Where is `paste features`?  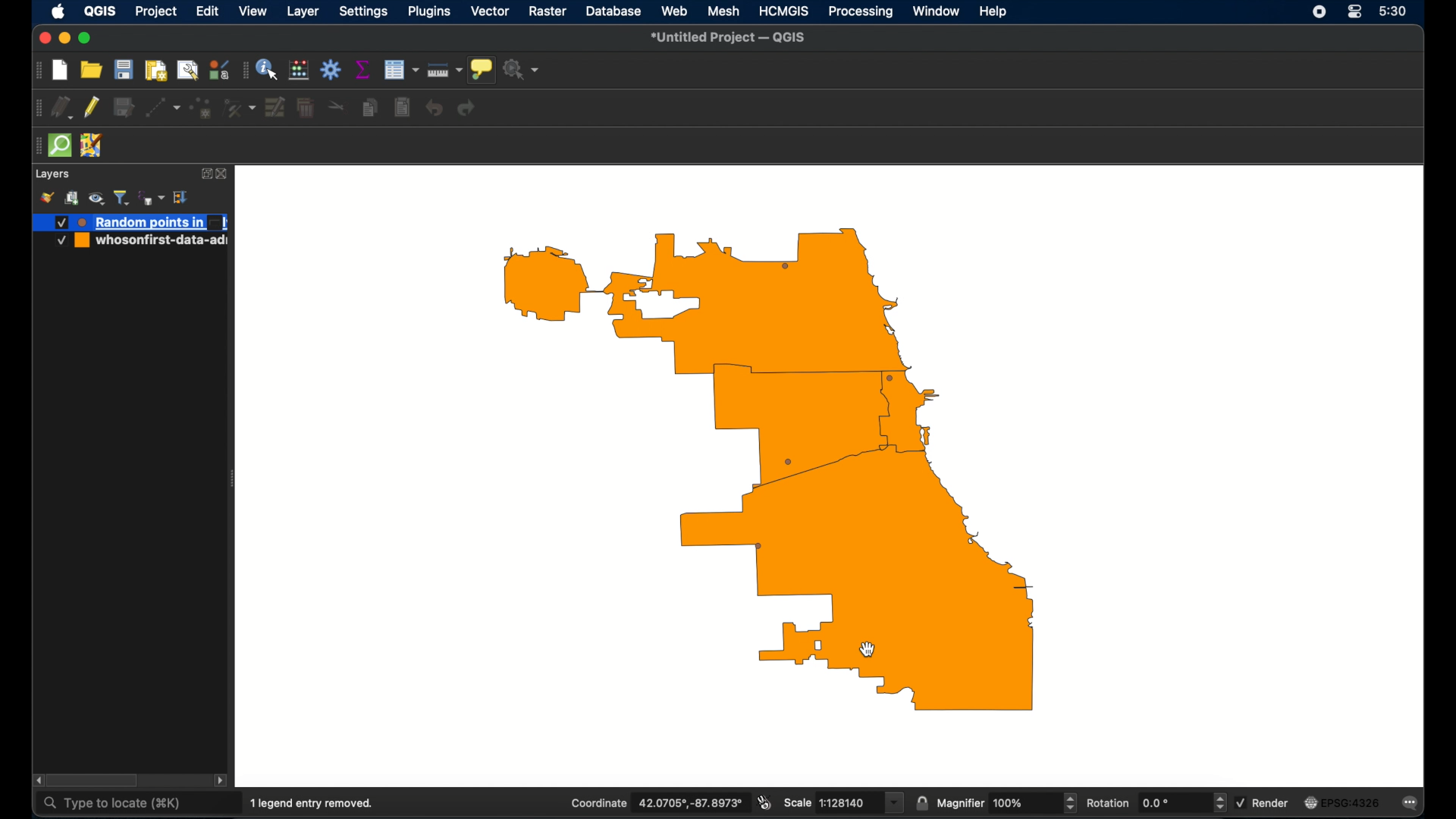
paste features is located at coordinates (403, 108).